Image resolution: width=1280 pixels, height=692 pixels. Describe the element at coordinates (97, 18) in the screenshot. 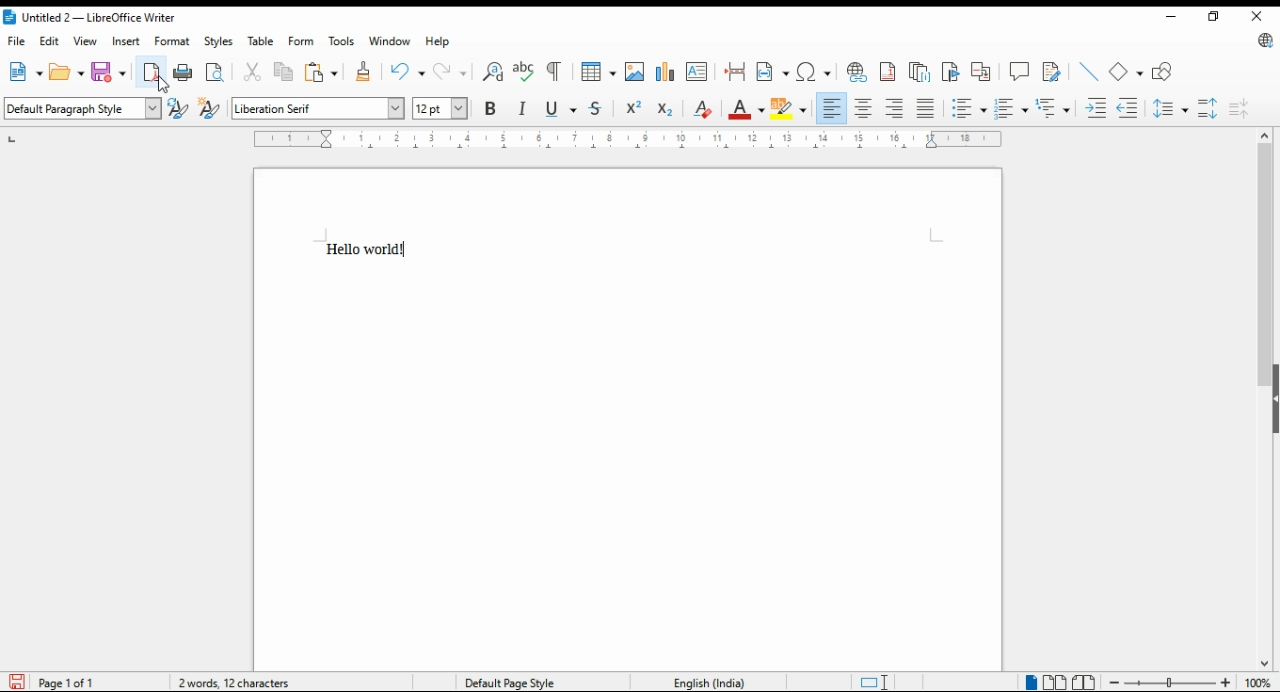

I see `icon and file name` at that location.